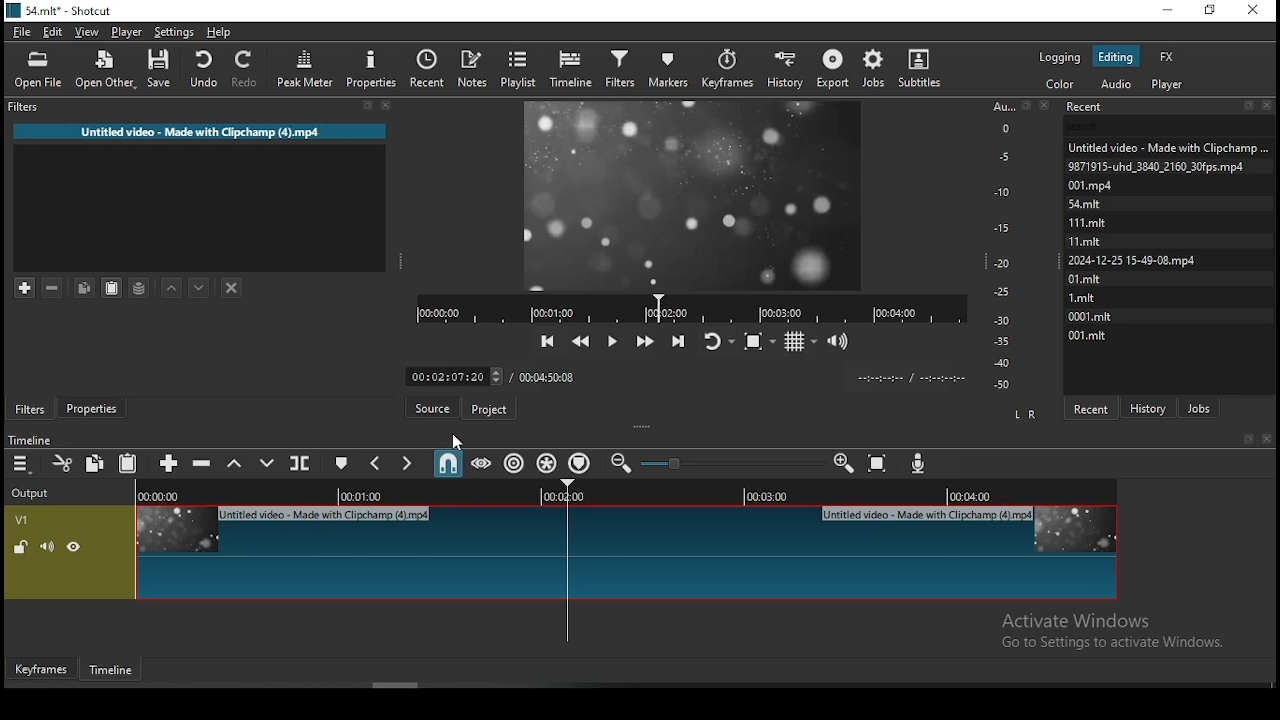 This screenshot has height=720, width=1280. I want to click on history, so click(789, 71).